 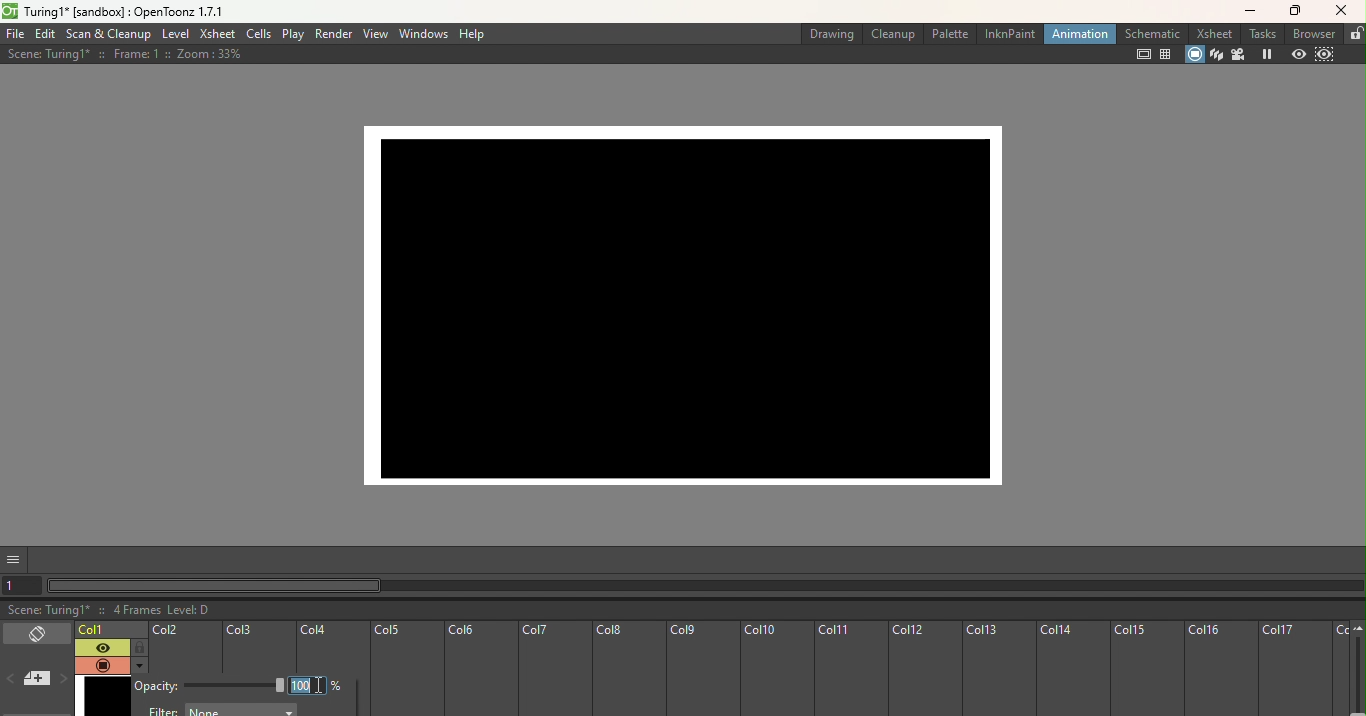 I want to click on Level, so click(x=175, y=34).